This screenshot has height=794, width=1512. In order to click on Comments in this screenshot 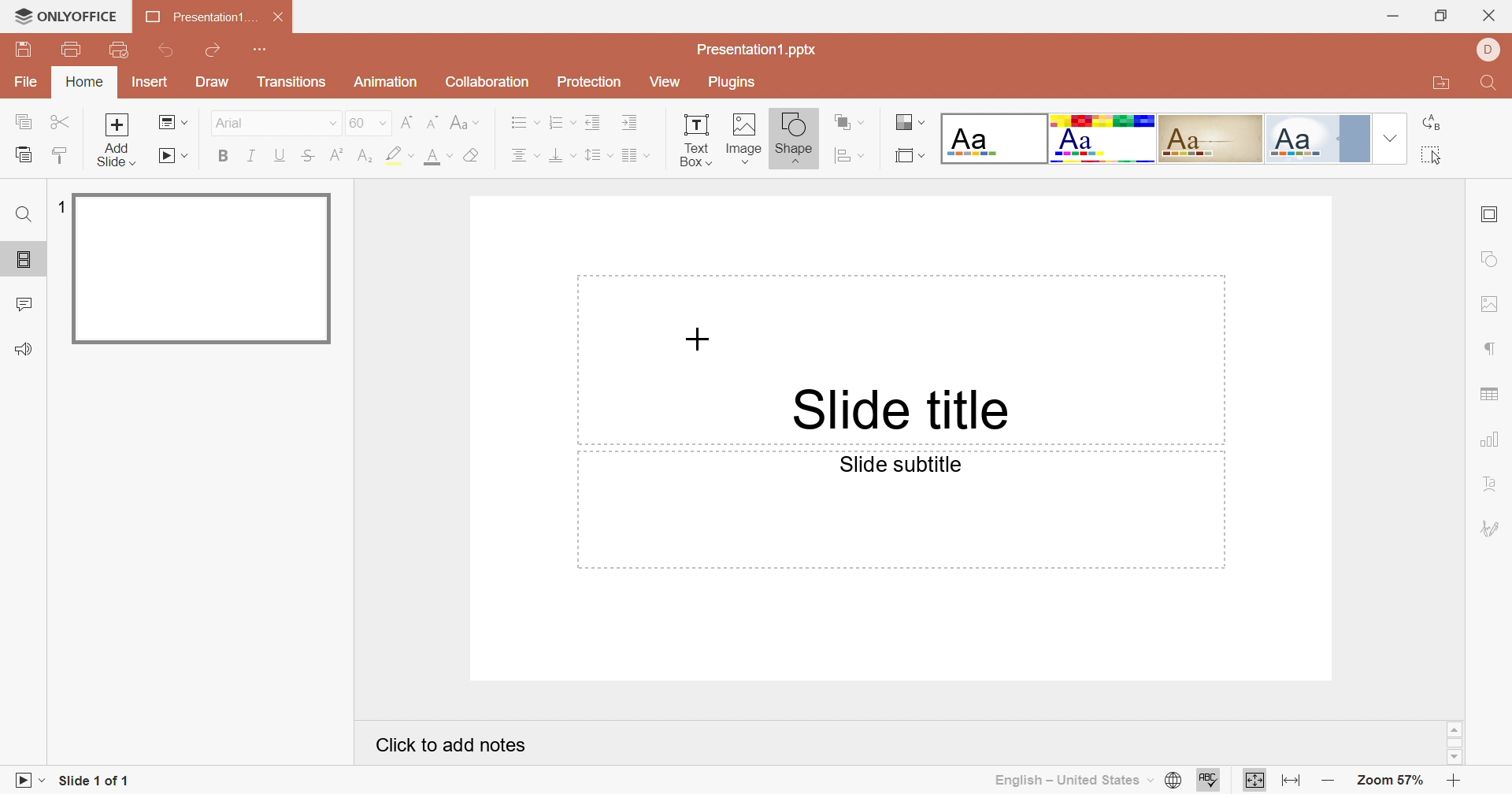, I will do `click(24, 303)`.